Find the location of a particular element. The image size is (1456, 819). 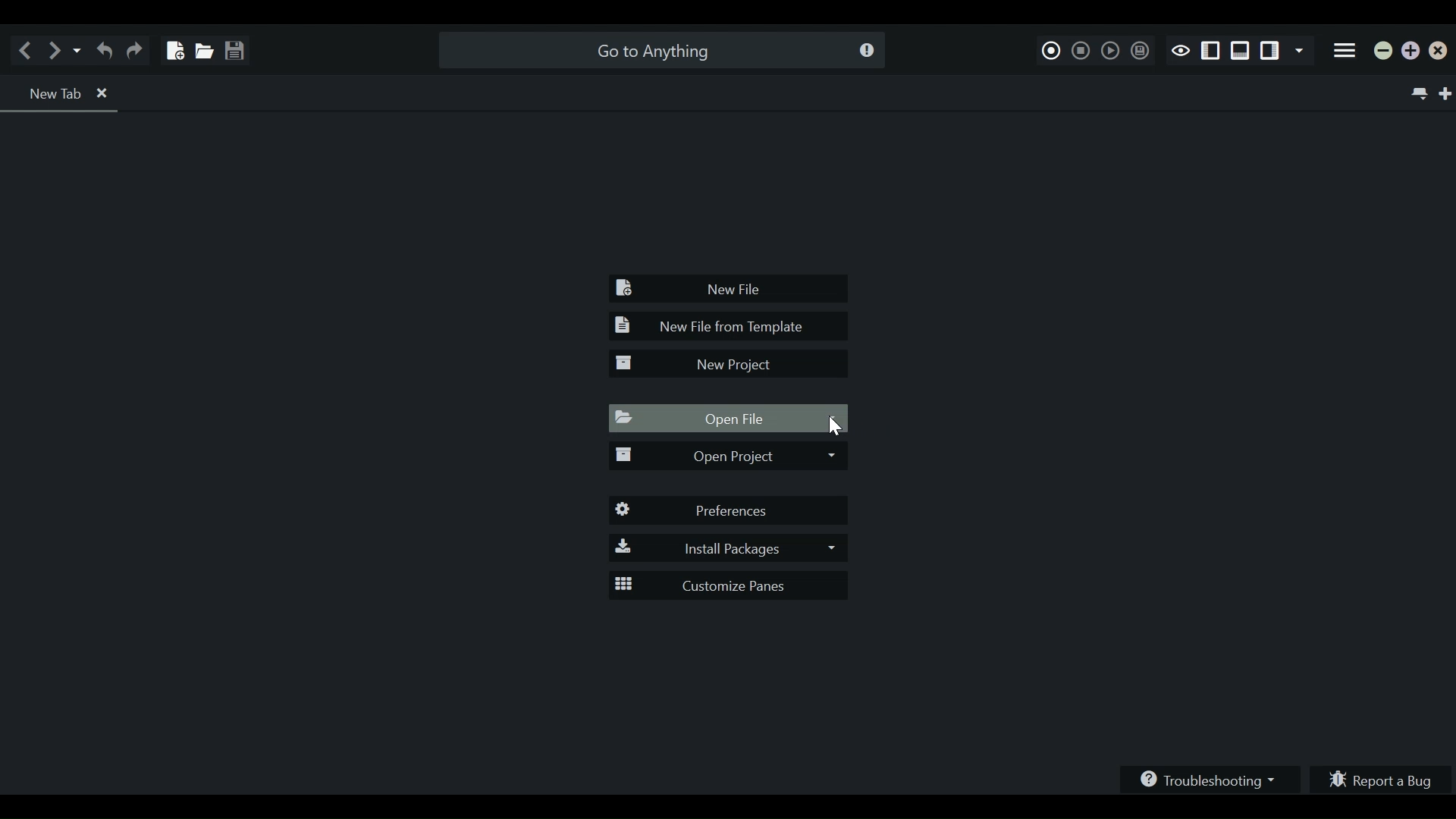

Customize Panes is located at coordinates (730, 586).